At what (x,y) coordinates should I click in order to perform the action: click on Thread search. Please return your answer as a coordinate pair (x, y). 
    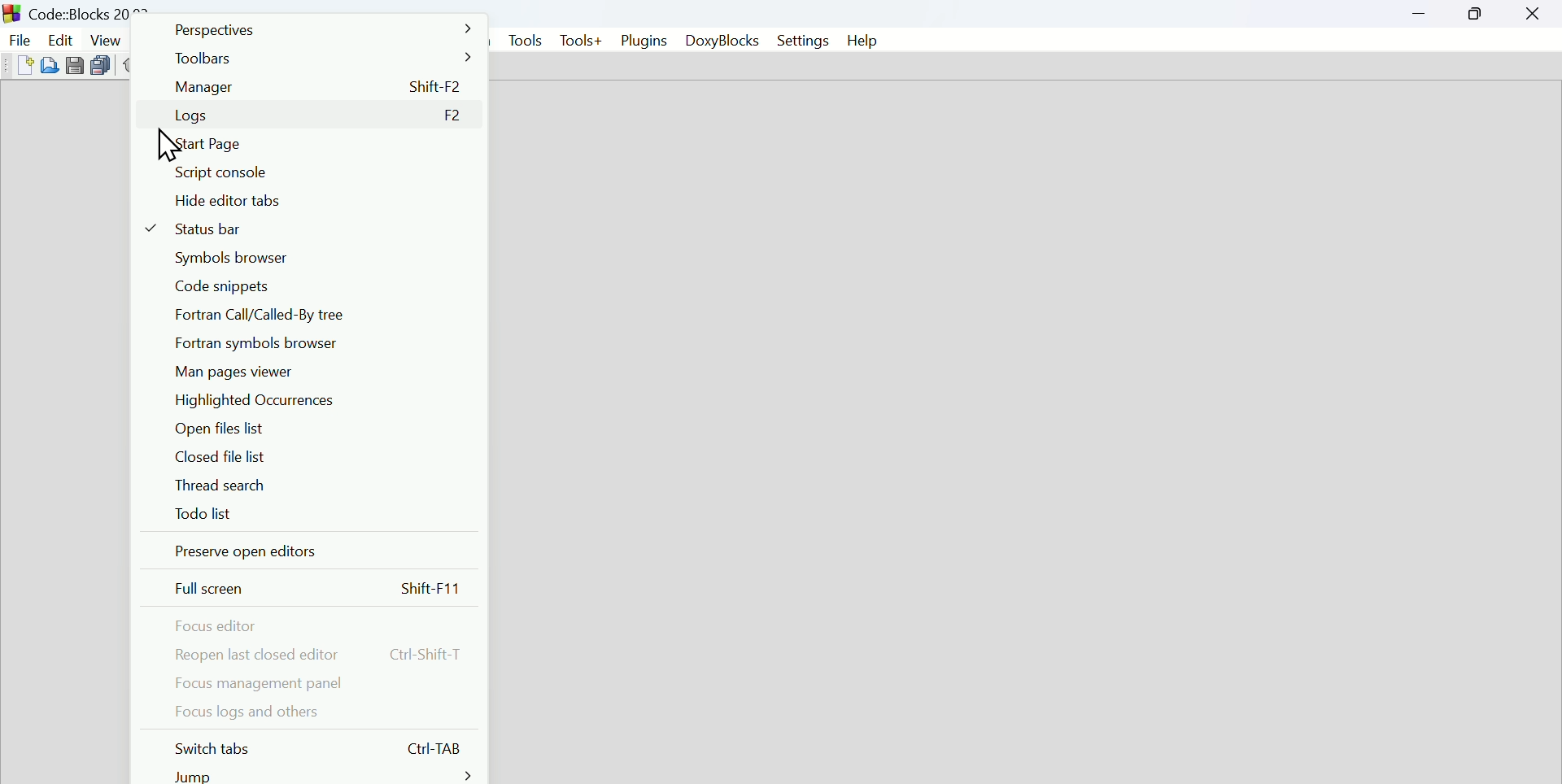
    Looking at the image, I should click on (324, 484).